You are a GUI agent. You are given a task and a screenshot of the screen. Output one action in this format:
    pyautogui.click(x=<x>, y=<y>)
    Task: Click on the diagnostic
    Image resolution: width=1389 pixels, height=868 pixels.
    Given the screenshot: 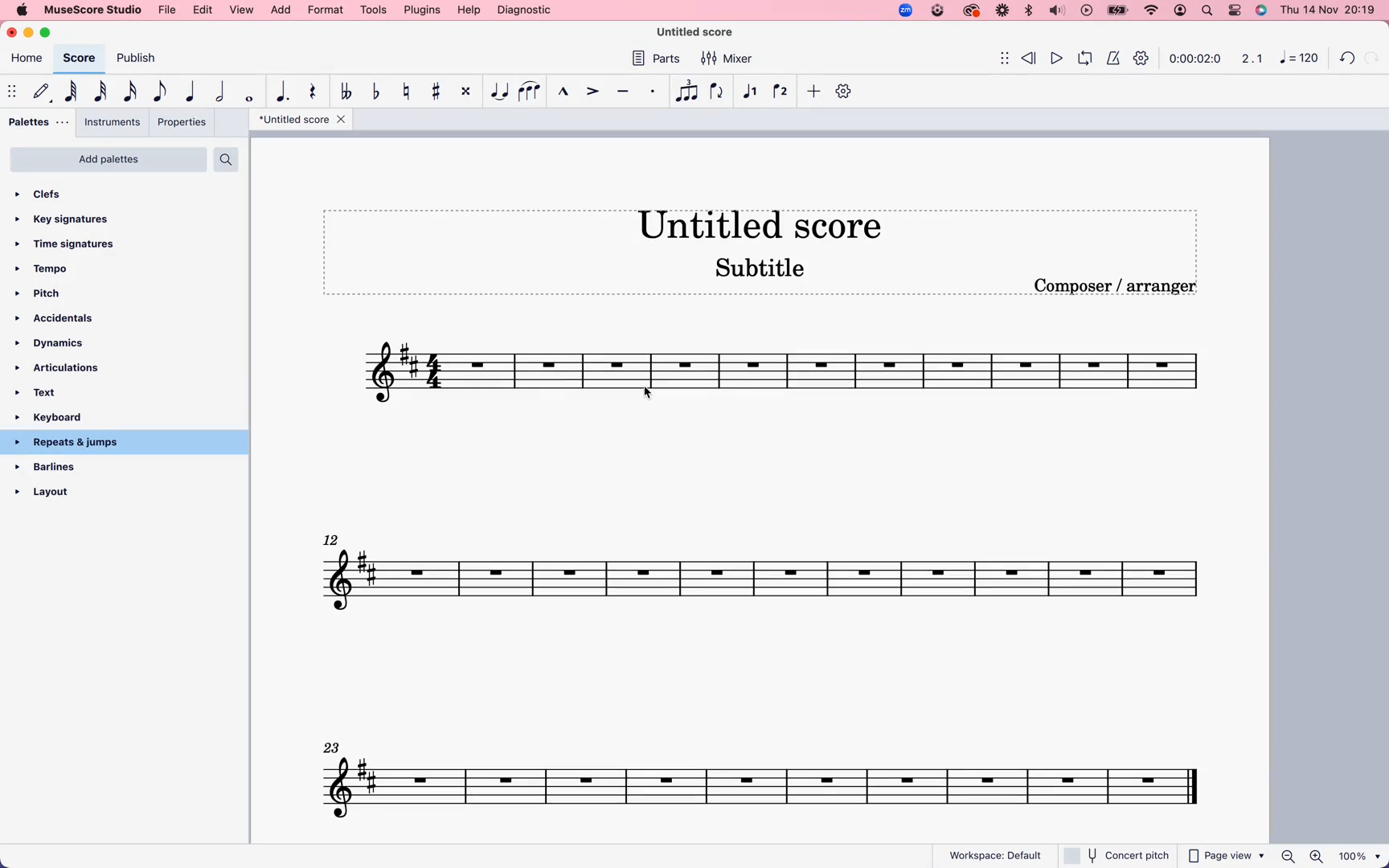 What is the action you would take?
    pyautogui.click(x=525, y=10)
    